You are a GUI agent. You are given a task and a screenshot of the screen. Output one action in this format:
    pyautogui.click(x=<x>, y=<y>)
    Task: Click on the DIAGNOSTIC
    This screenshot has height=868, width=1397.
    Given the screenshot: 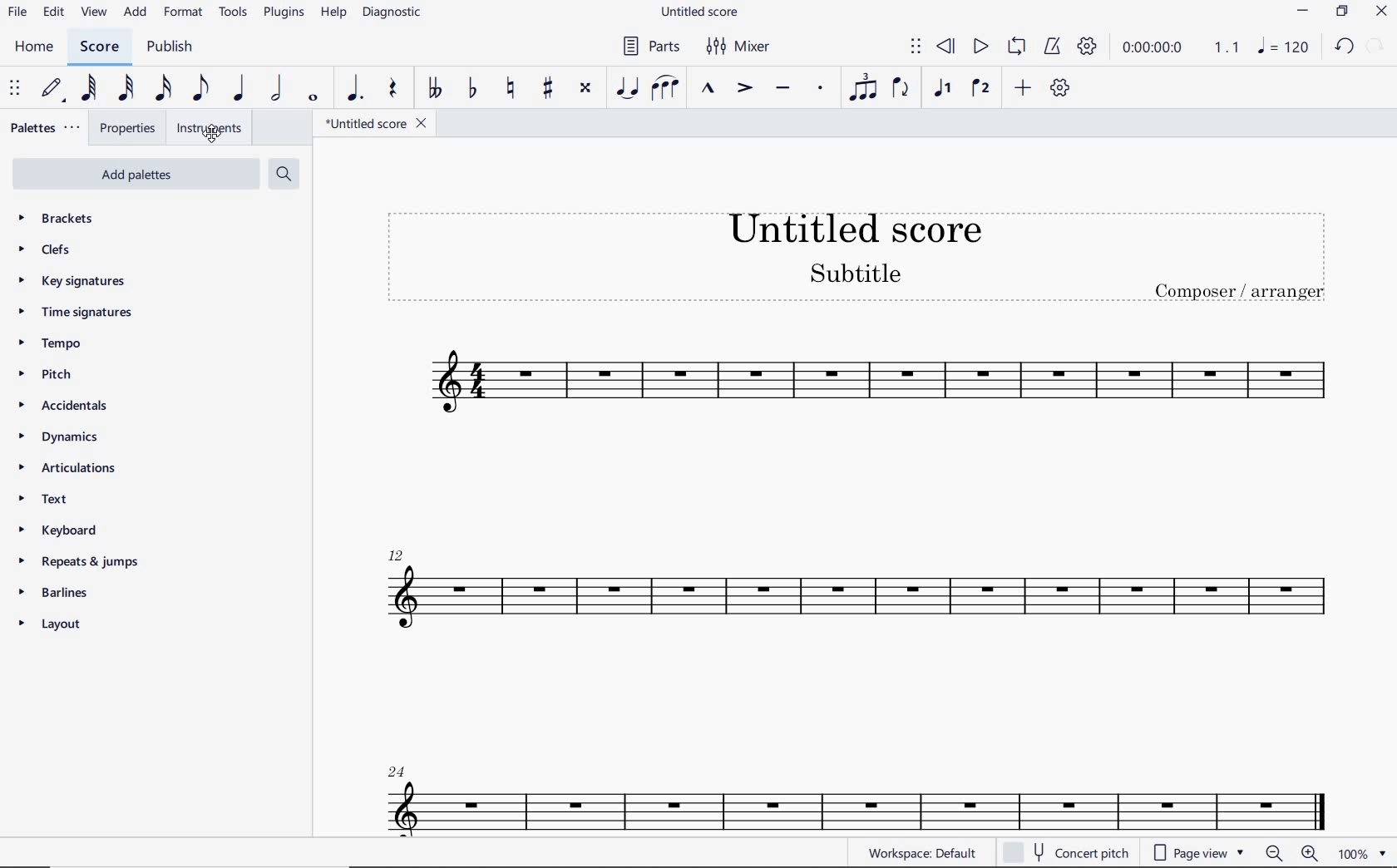 What is the action you would take?
    pyautogui.click(x=393, y=13)
    